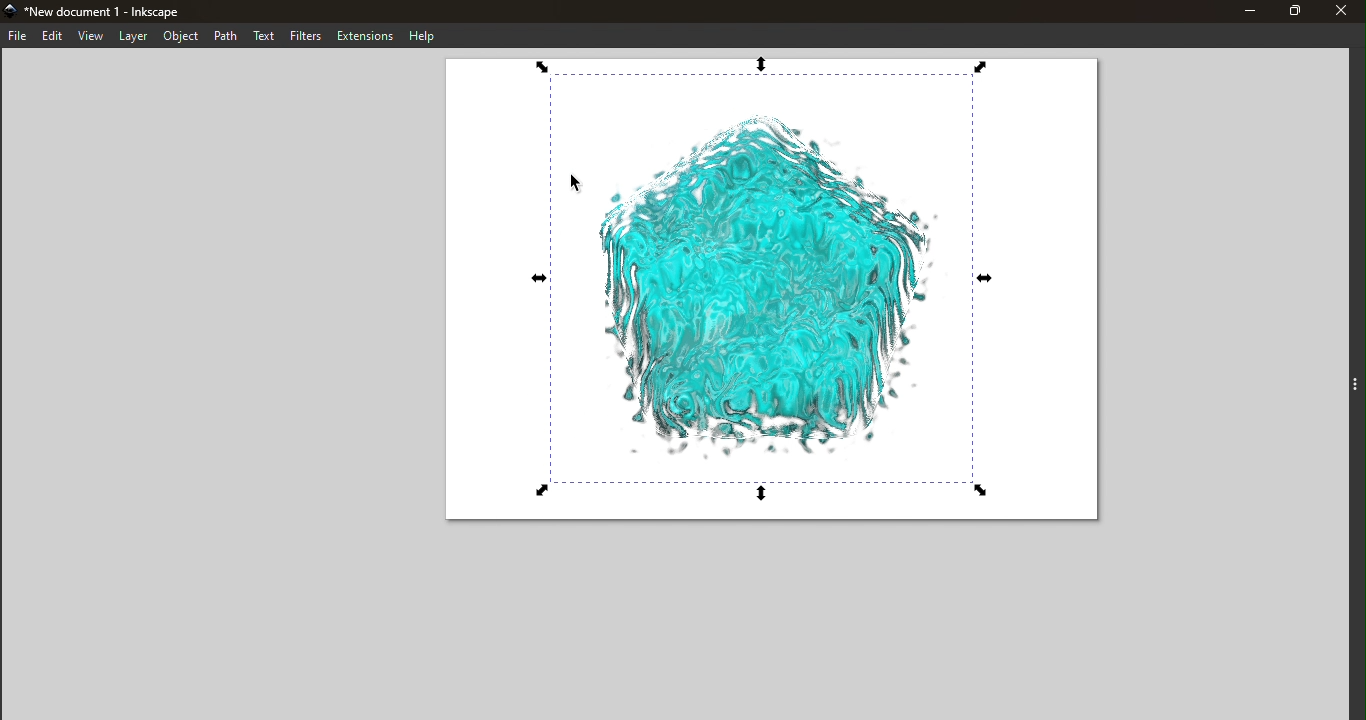 The height and width of the screenshot is (720, 1366). I want to click on Extensions, so click(365, 35).